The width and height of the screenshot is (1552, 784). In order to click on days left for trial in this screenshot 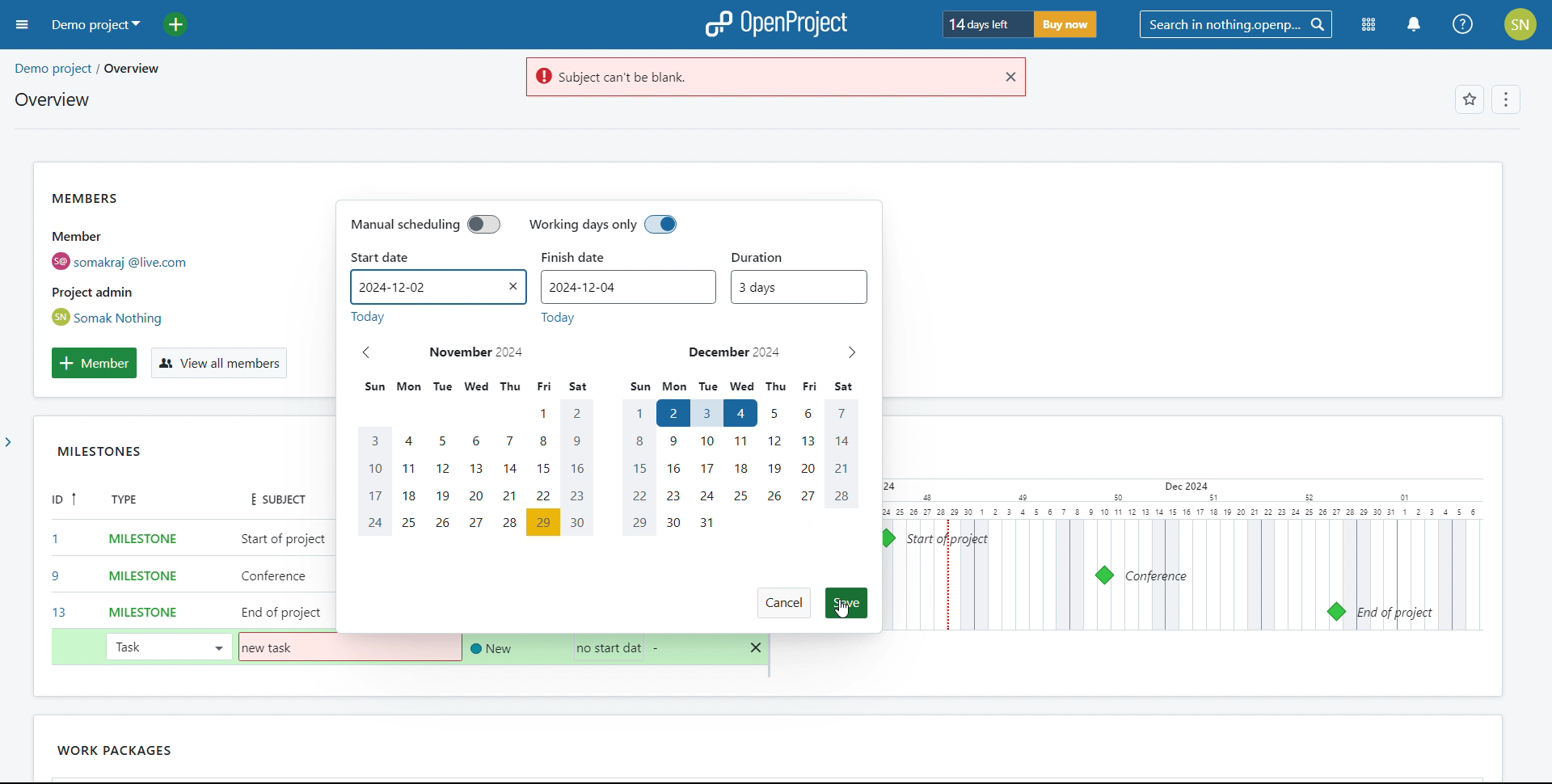, I will do `click(985, 25)`.